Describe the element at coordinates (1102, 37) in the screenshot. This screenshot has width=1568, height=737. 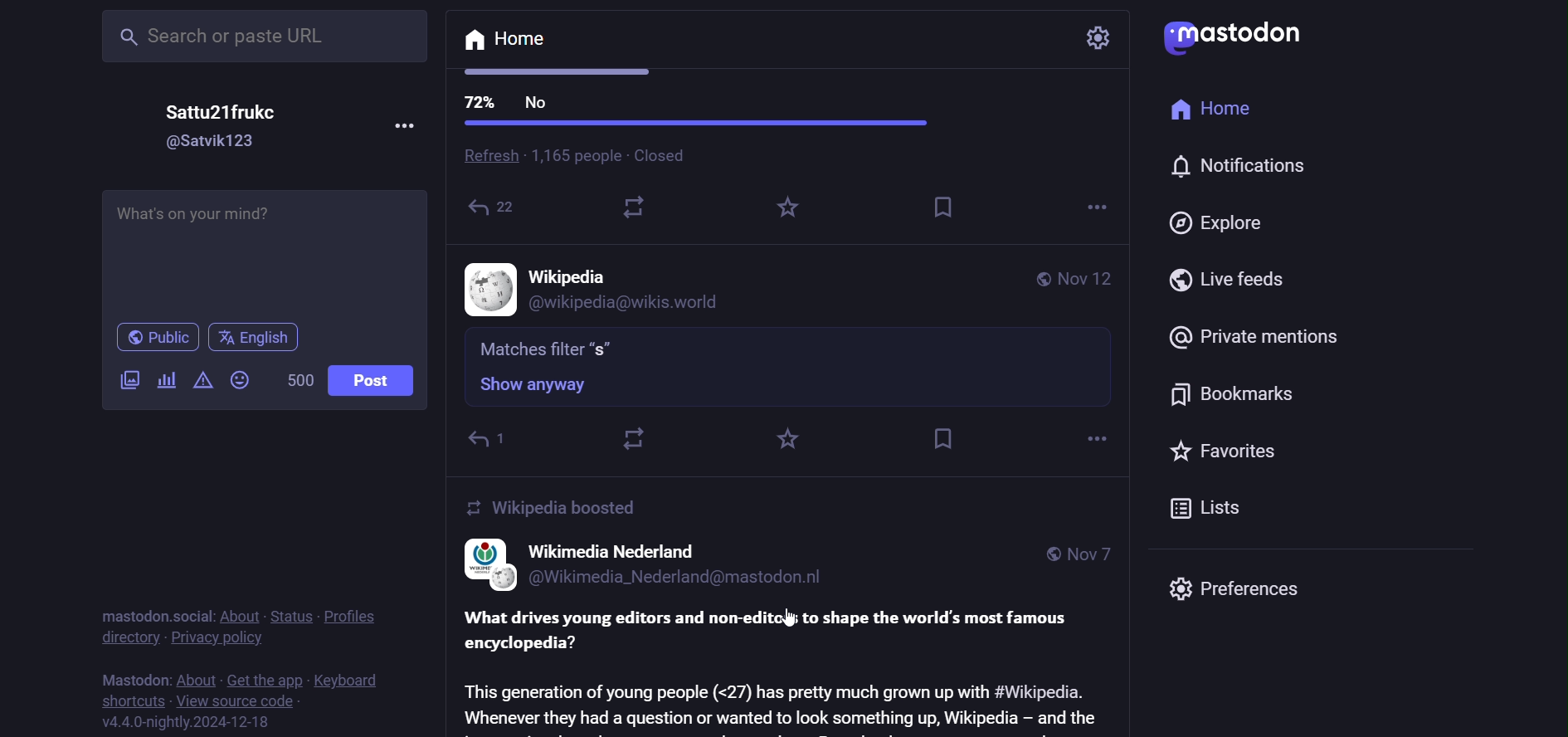
I see `setting` at that location.